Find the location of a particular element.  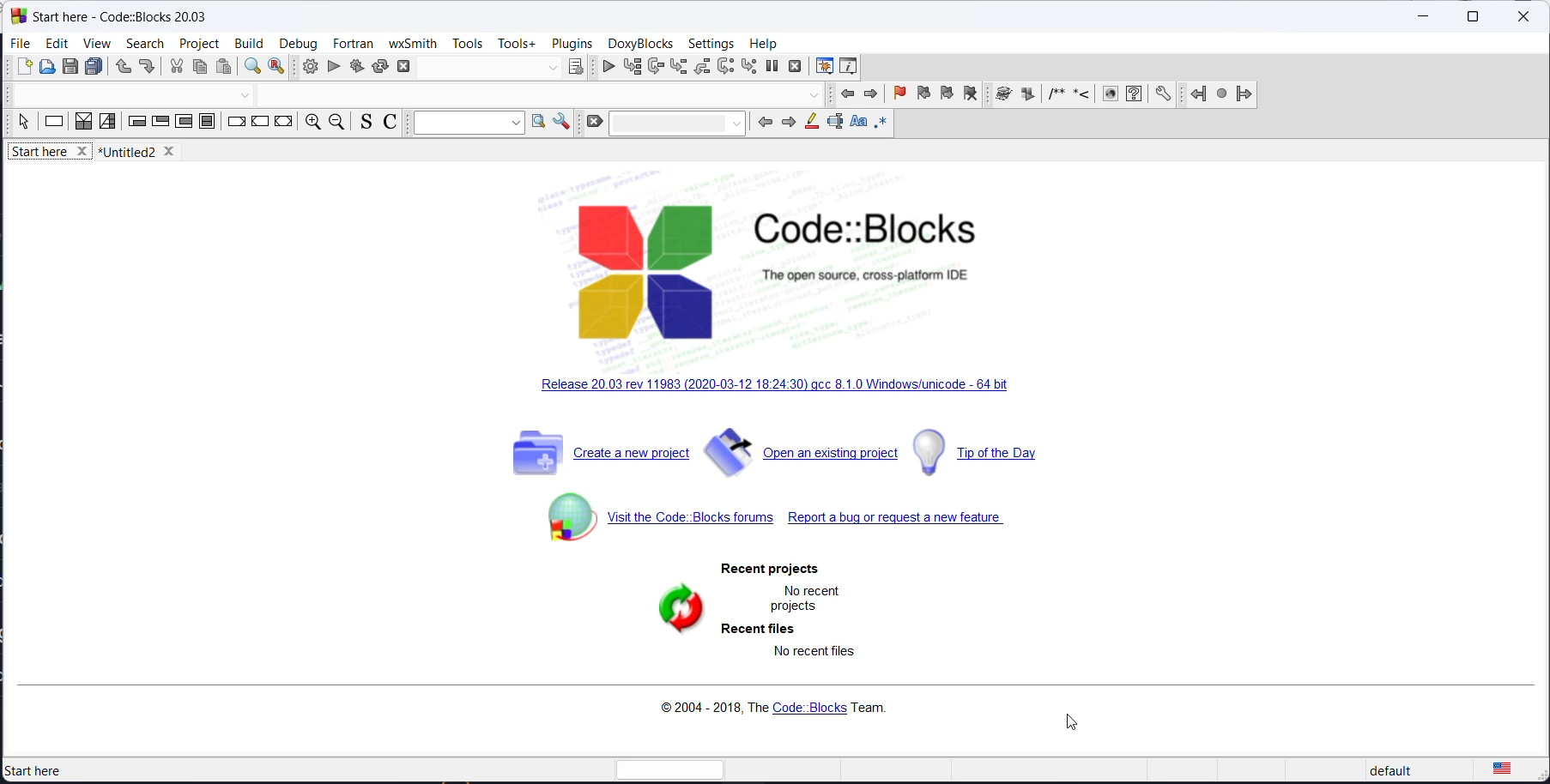

save all is located at coordinates (94, 68).